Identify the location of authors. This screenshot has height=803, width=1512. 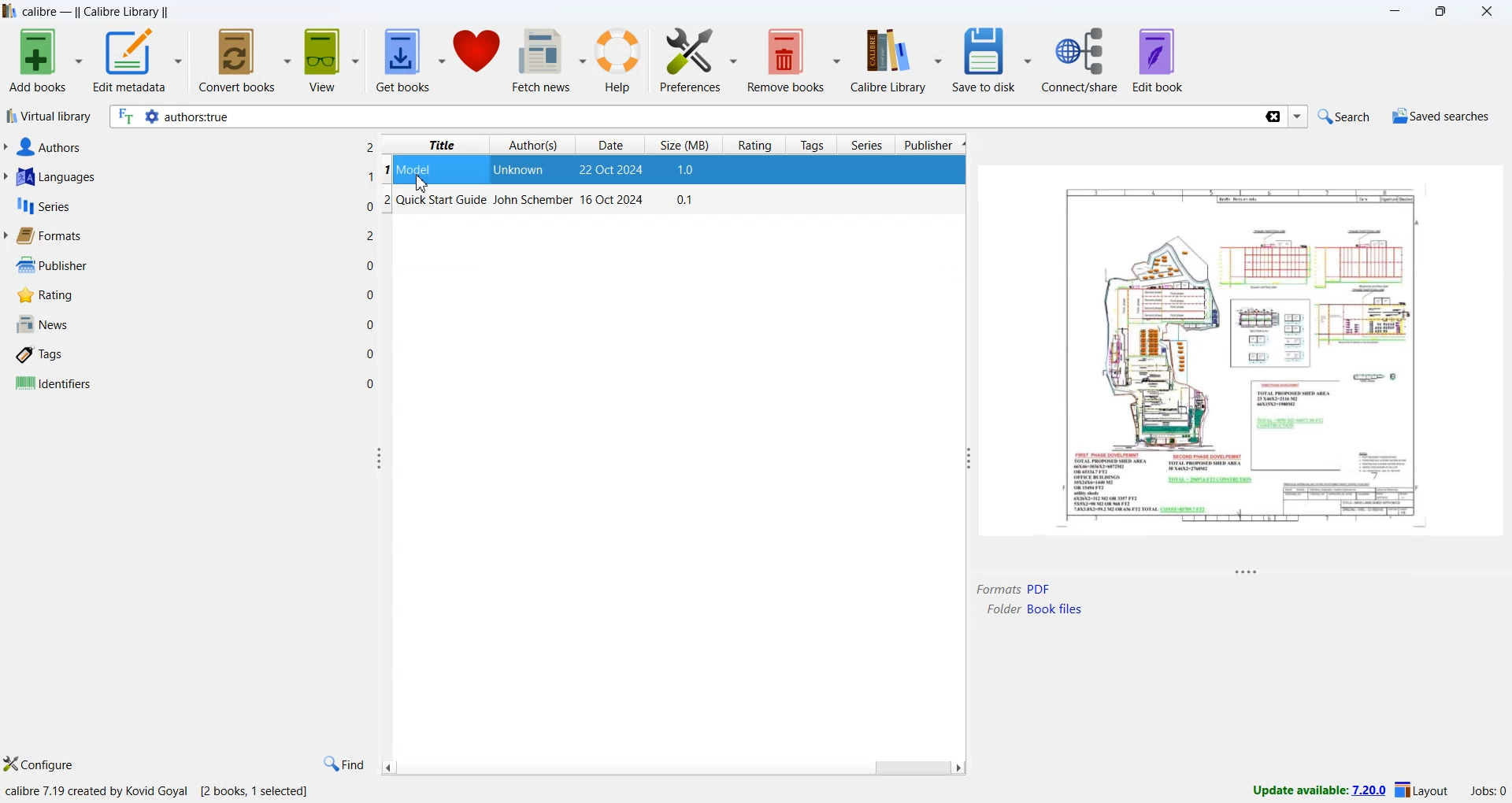
(535, 145).